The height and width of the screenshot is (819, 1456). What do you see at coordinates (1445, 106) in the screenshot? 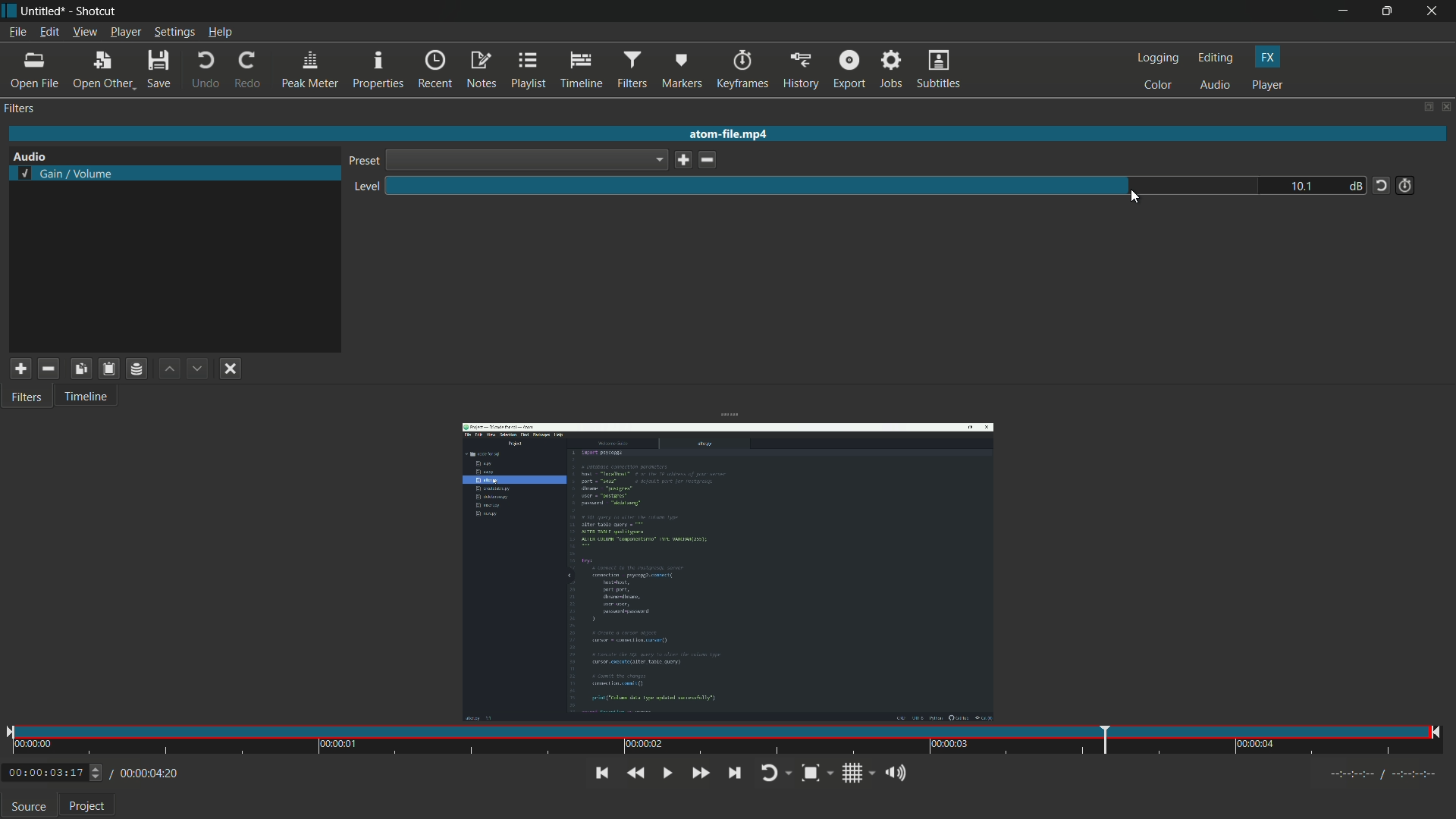
I see `close panel` at bounding box center [1445, 106].